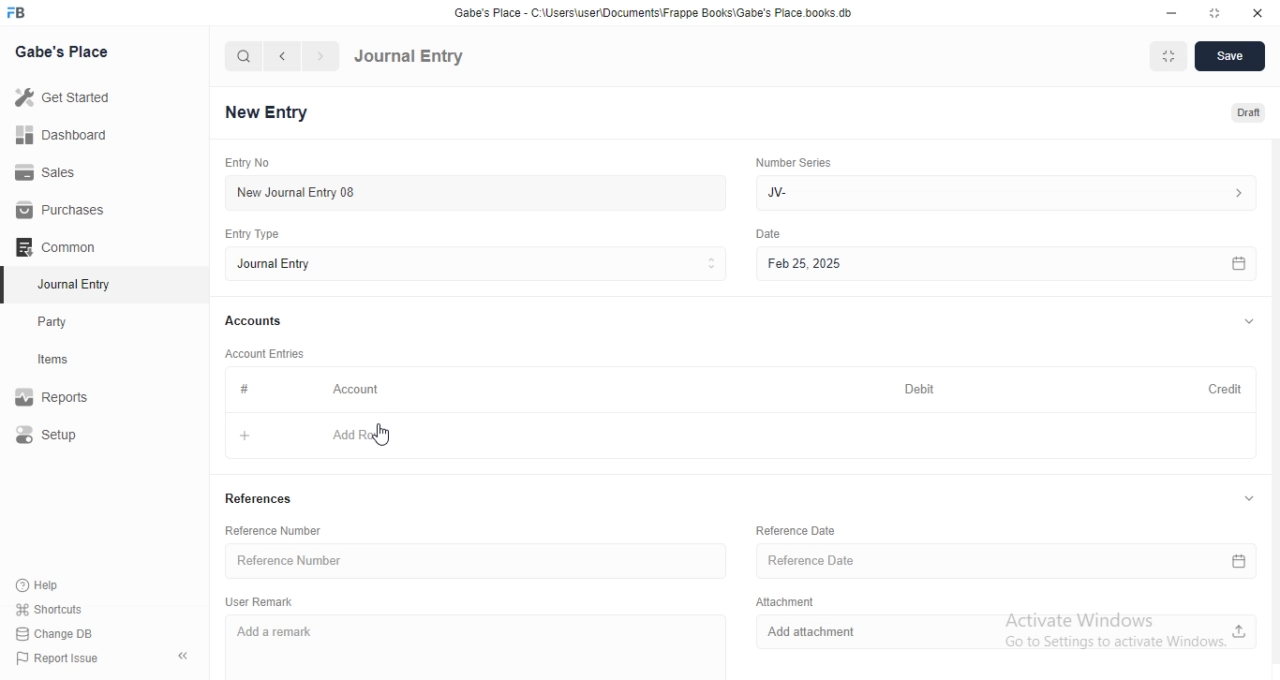  I want to click on cursor, so click(389, 436).